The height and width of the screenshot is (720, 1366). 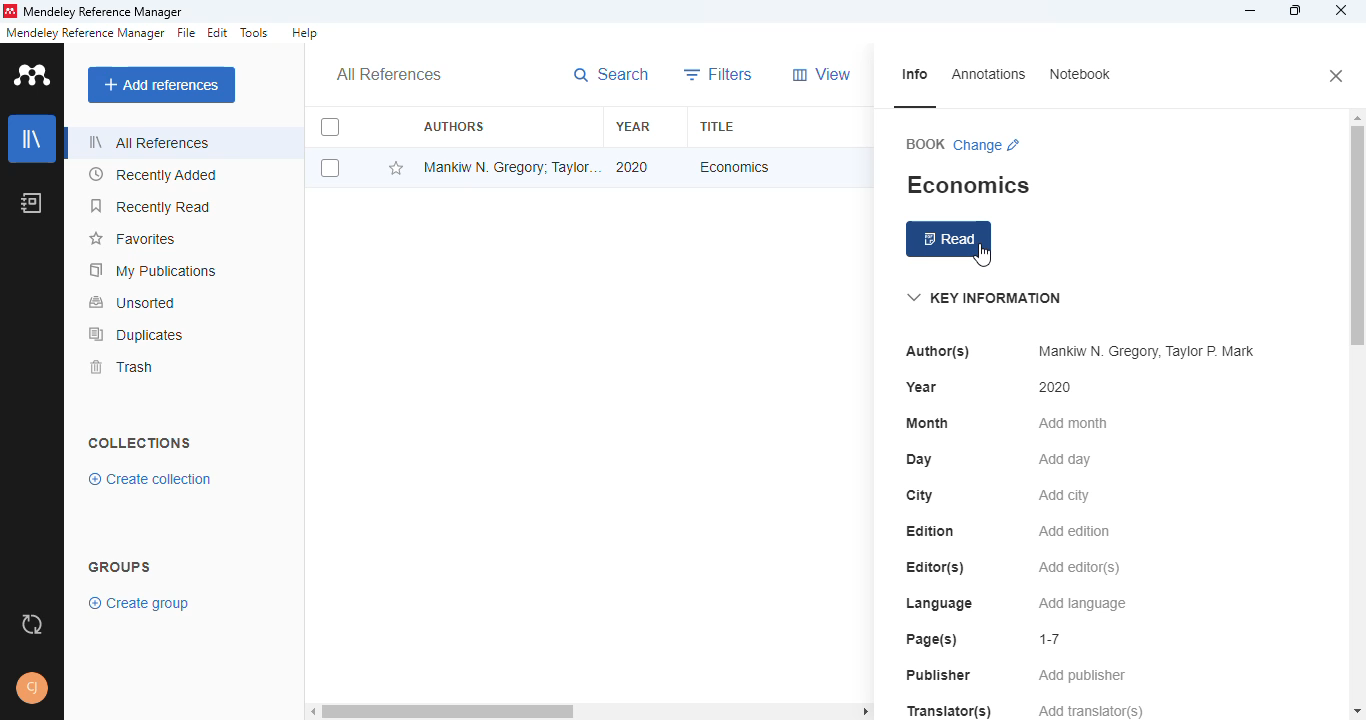 I want to click on duplicates, so click(x=136, y=335).